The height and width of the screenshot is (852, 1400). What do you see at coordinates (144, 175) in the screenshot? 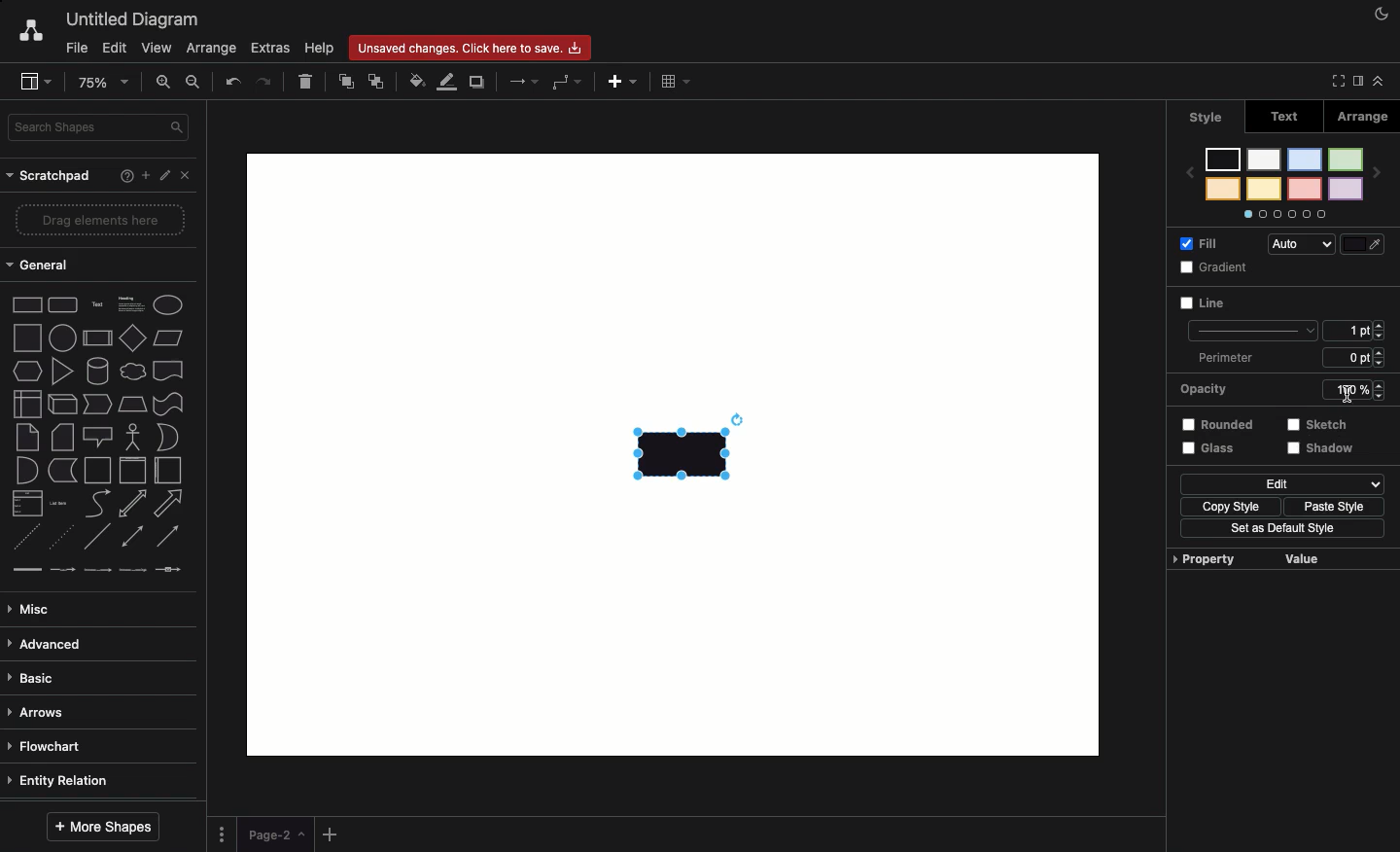
I see `Add` at bounding box center [144, 175].